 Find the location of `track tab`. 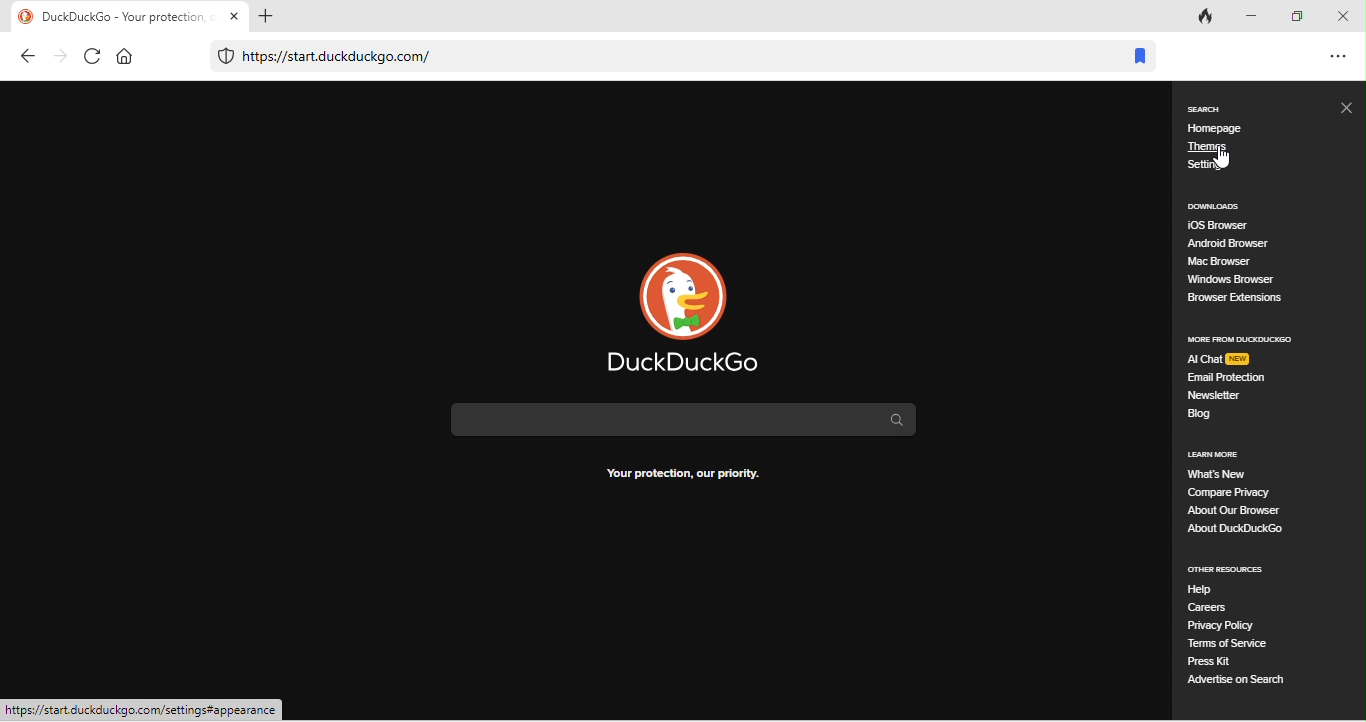

track tab is located at coordinates (1207, 18).